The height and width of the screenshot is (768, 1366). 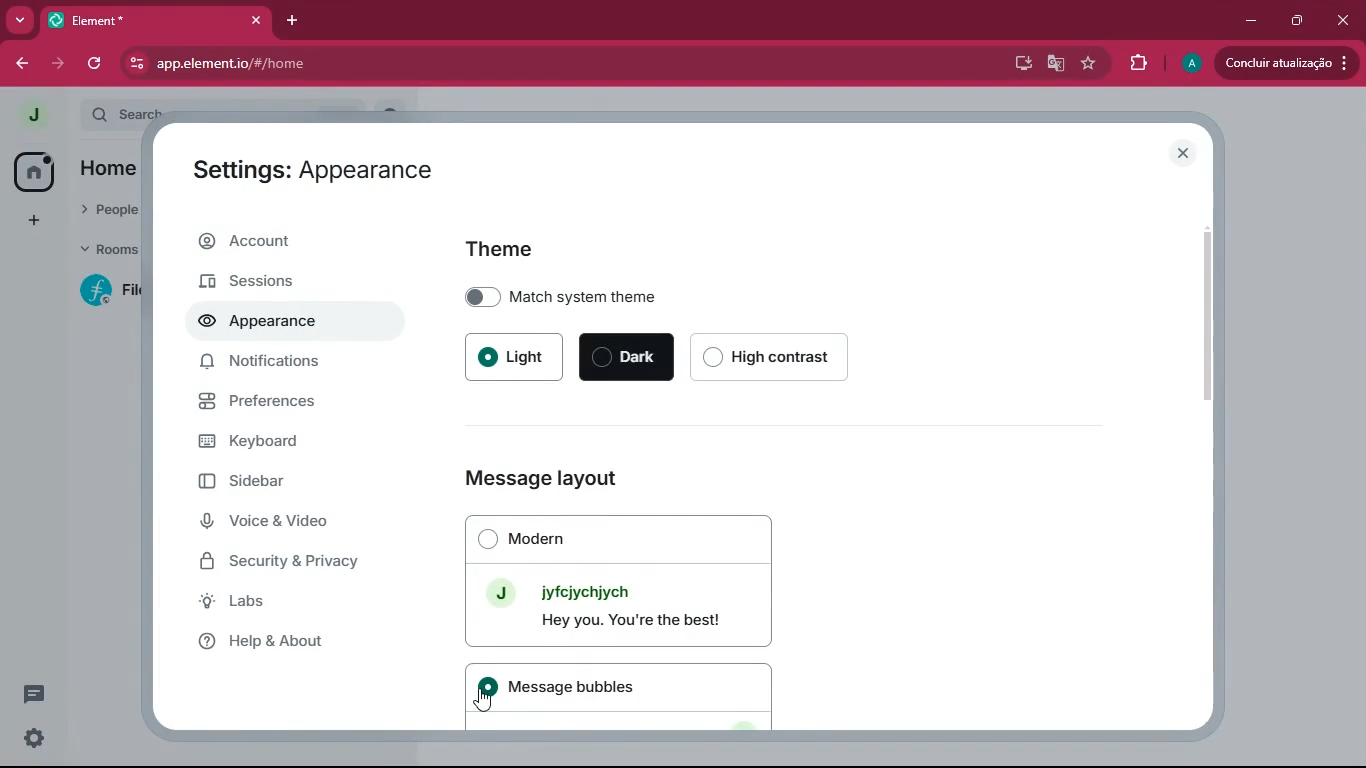 What do you see at coordinates (1054, 66) in the screenshot?
I see `google translate` at bounding box center [1054, 66].